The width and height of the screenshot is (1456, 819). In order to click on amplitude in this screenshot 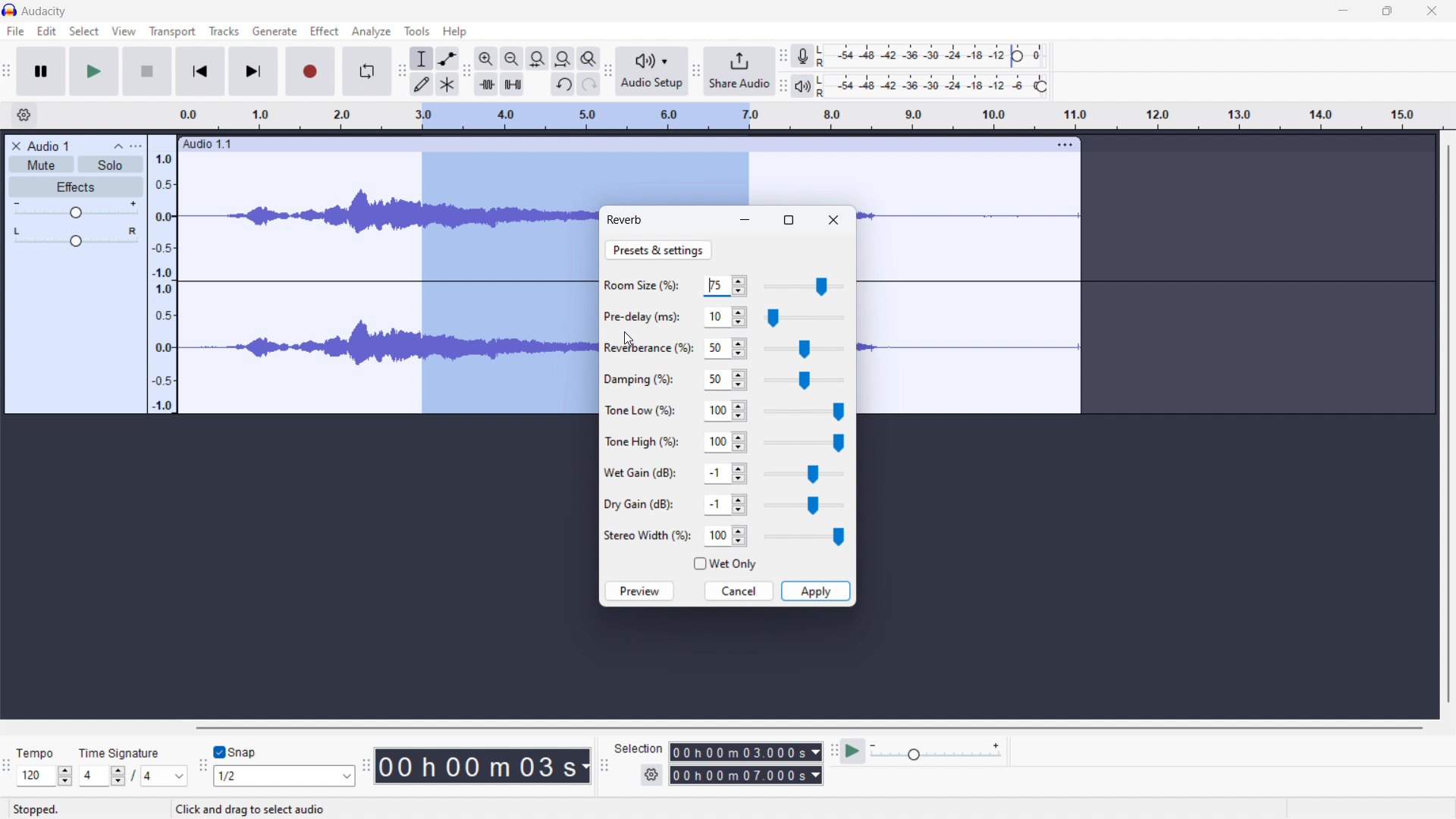, I will do `click(164, 283)`.